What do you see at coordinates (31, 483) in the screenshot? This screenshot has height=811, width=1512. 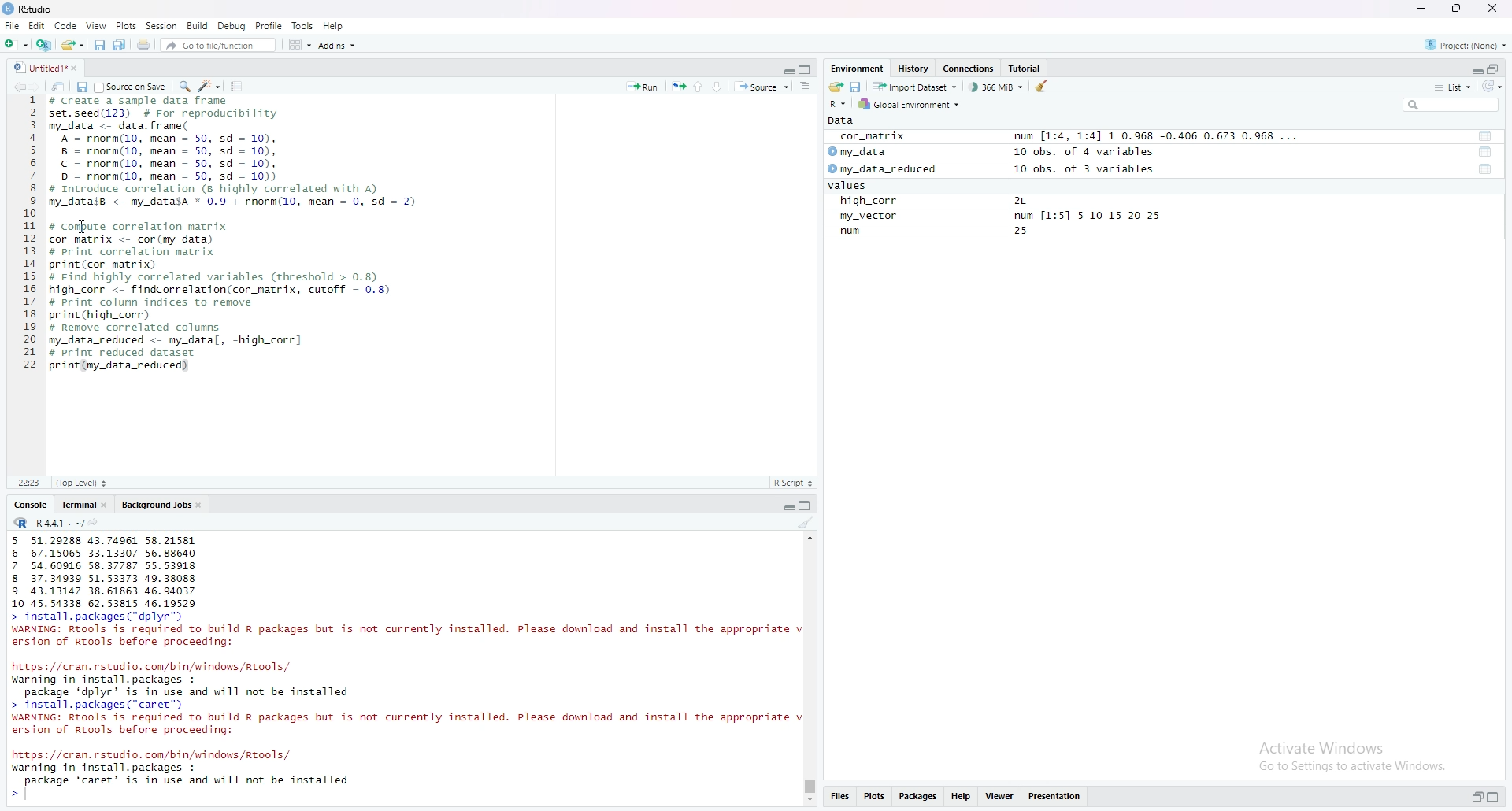 I see `11:1` at bounding box center [31, 483].